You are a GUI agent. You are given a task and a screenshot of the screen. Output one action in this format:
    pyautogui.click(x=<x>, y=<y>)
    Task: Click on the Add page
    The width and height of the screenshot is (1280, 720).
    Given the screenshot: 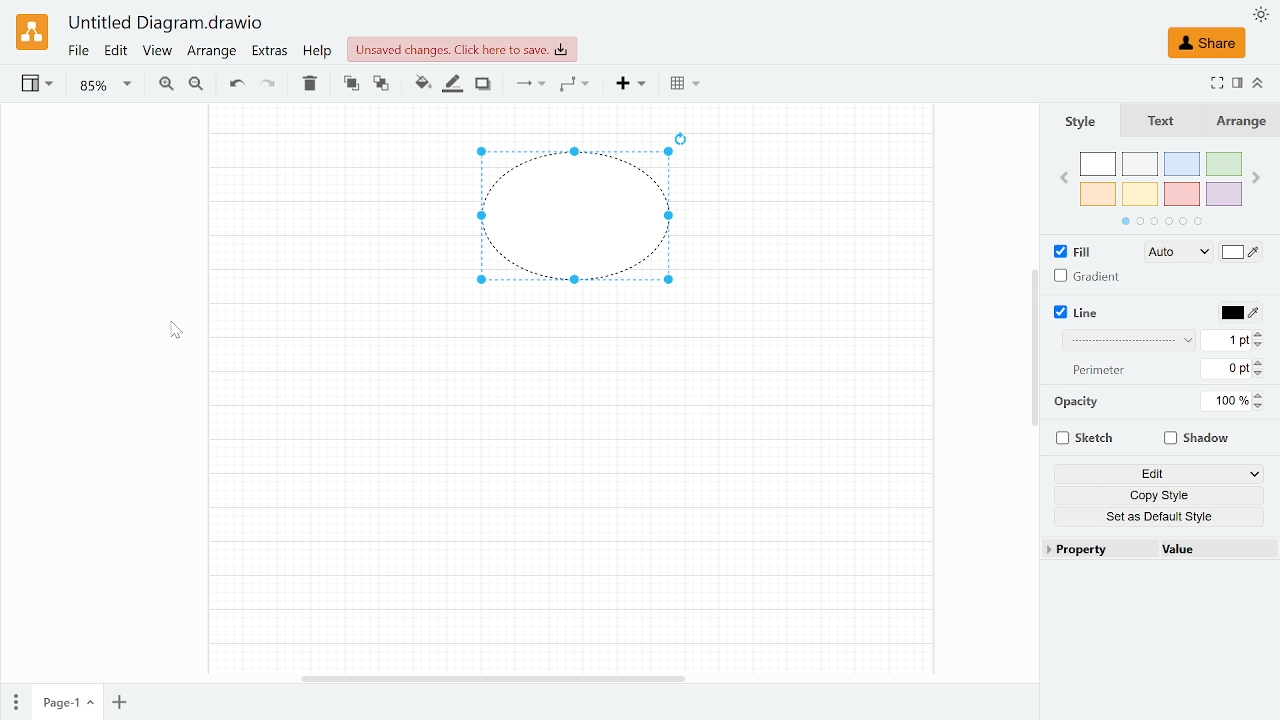 What is the action you would take?
    pyautogui.click(x=122, y=703)
    